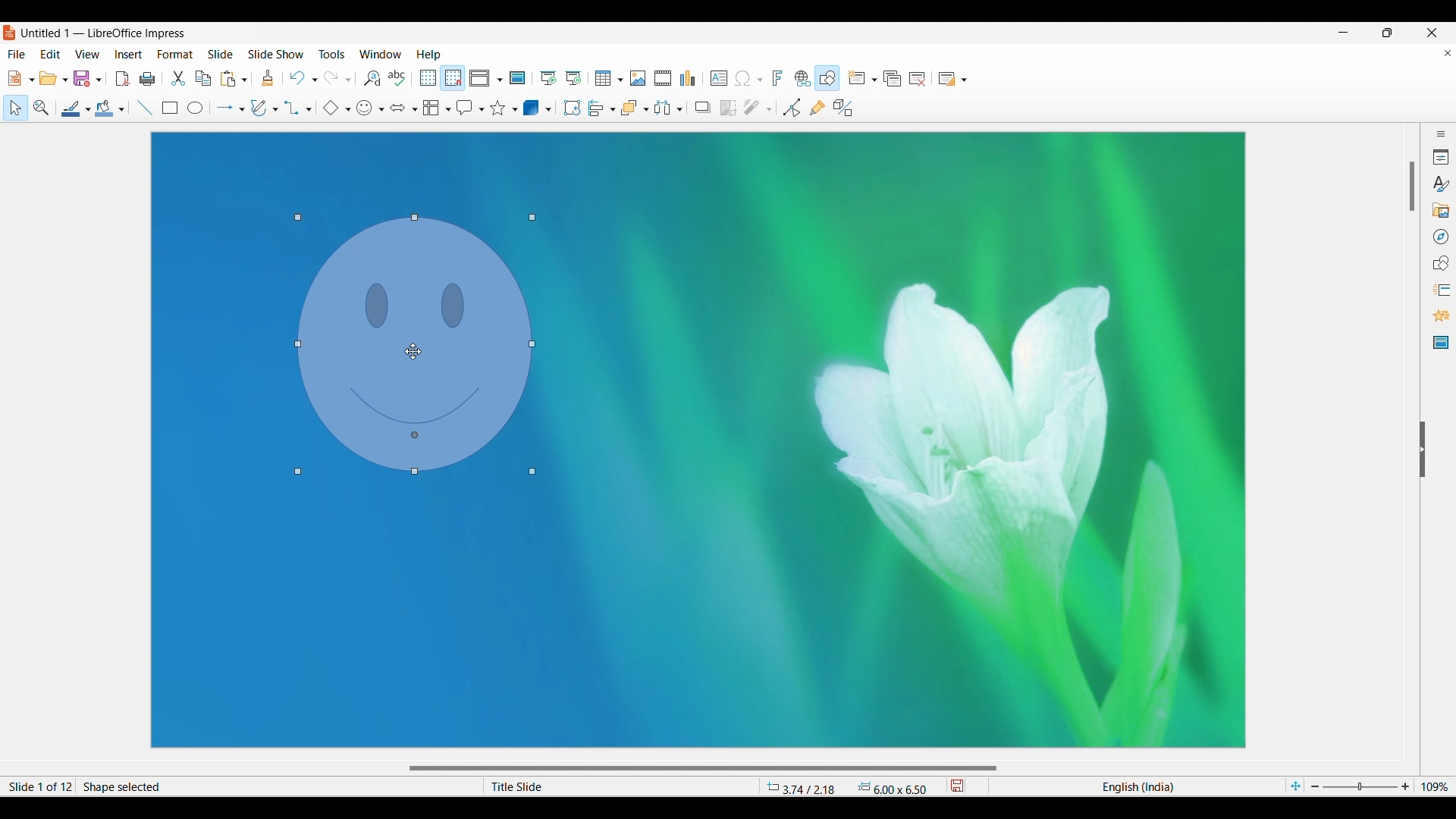  What do you see at coordinates (42, 108) in the screenshot?
I see `Zoom and pan` at bounding box center [42, 108].